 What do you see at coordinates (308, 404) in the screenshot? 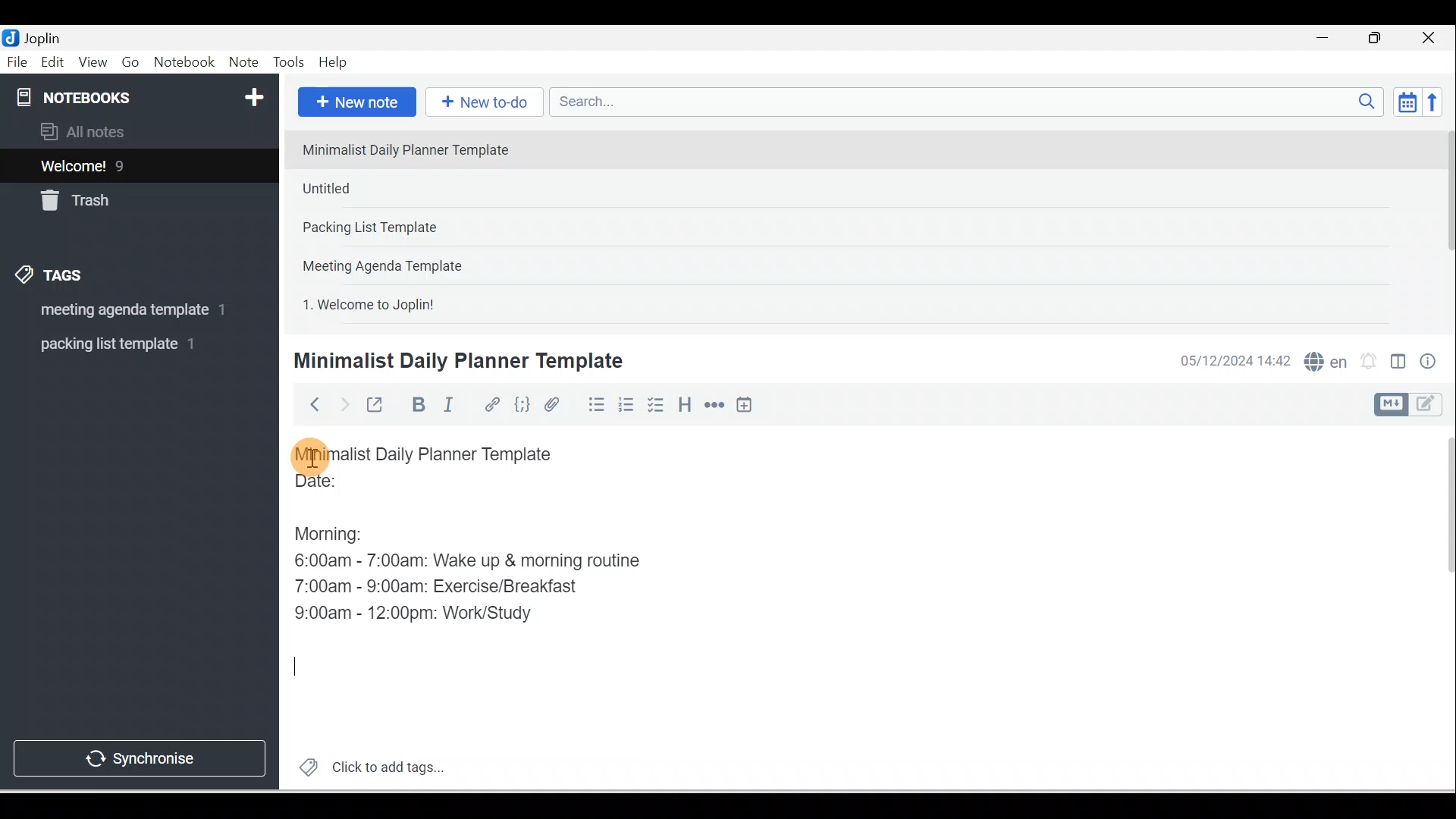
I see `Back` at bounding box center [308, 404].